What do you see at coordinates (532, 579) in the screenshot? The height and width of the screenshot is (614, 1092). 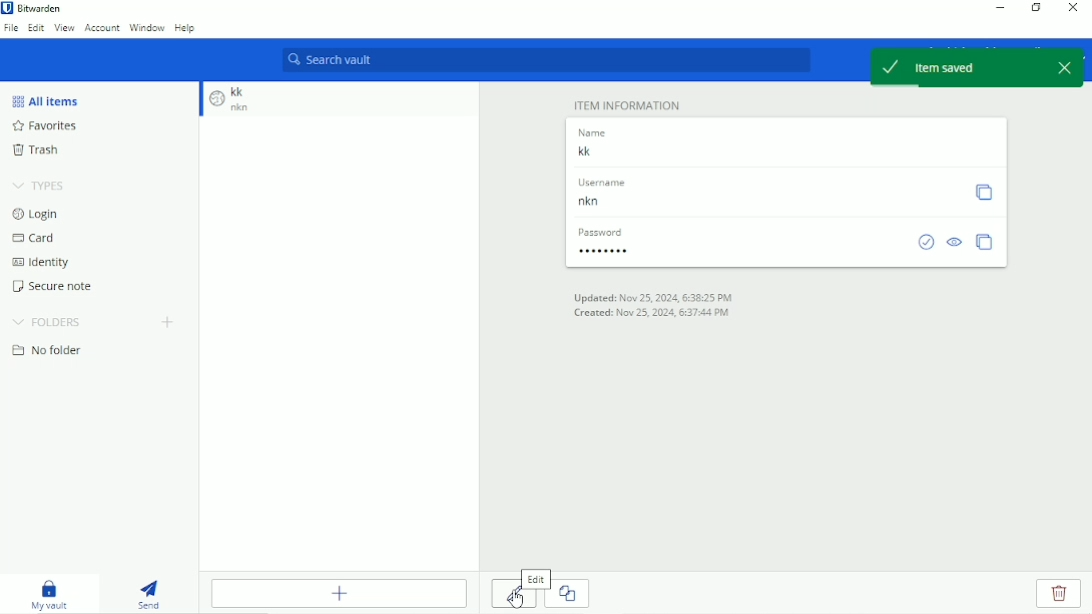 I see `Edit` at bounding box center [532, 579].